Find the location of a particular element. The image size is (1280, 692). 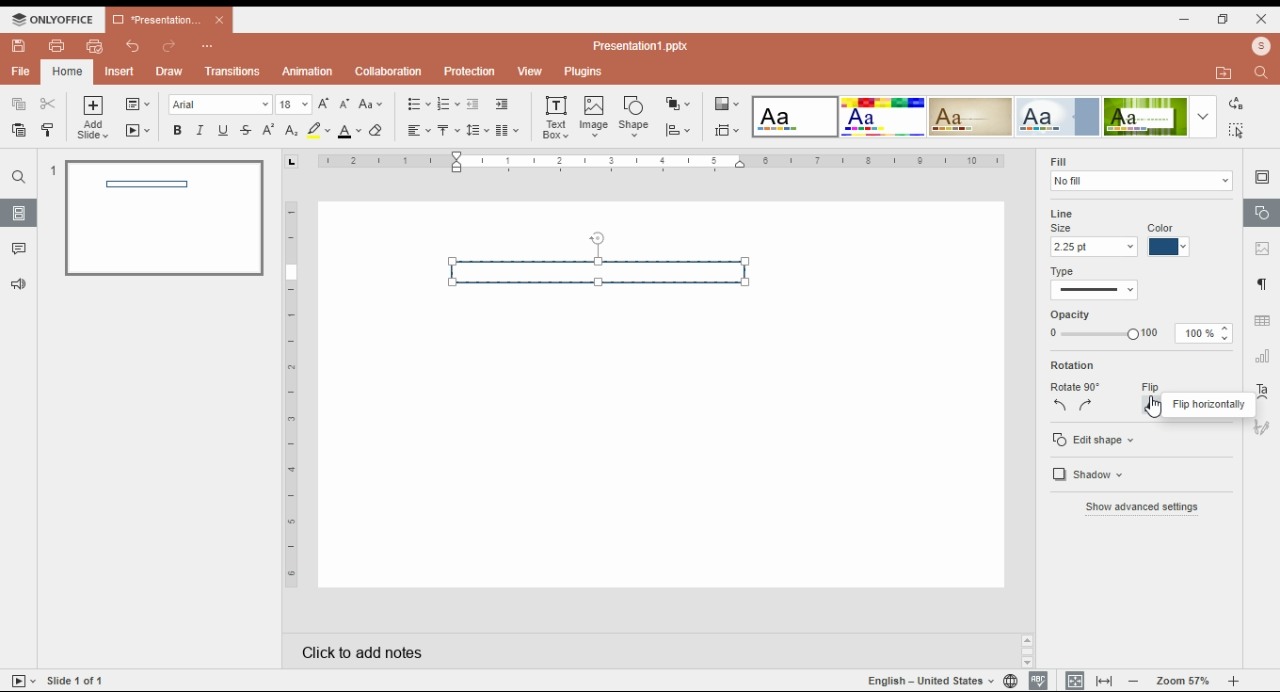

change case is located at coordinates (370, 104).